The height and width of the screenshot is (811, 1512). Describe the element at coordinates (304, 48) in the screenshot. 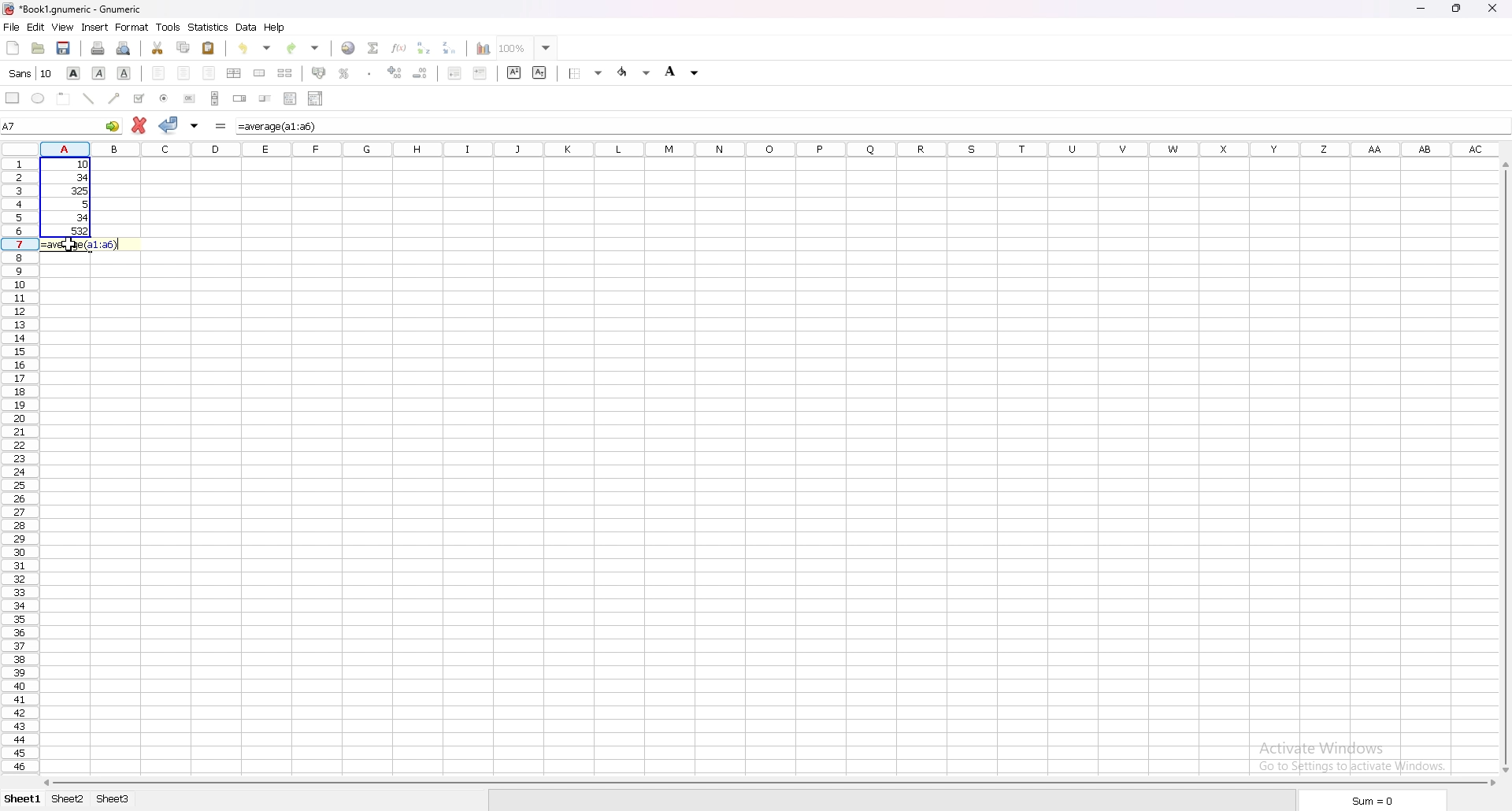

I see `redo` at that location.